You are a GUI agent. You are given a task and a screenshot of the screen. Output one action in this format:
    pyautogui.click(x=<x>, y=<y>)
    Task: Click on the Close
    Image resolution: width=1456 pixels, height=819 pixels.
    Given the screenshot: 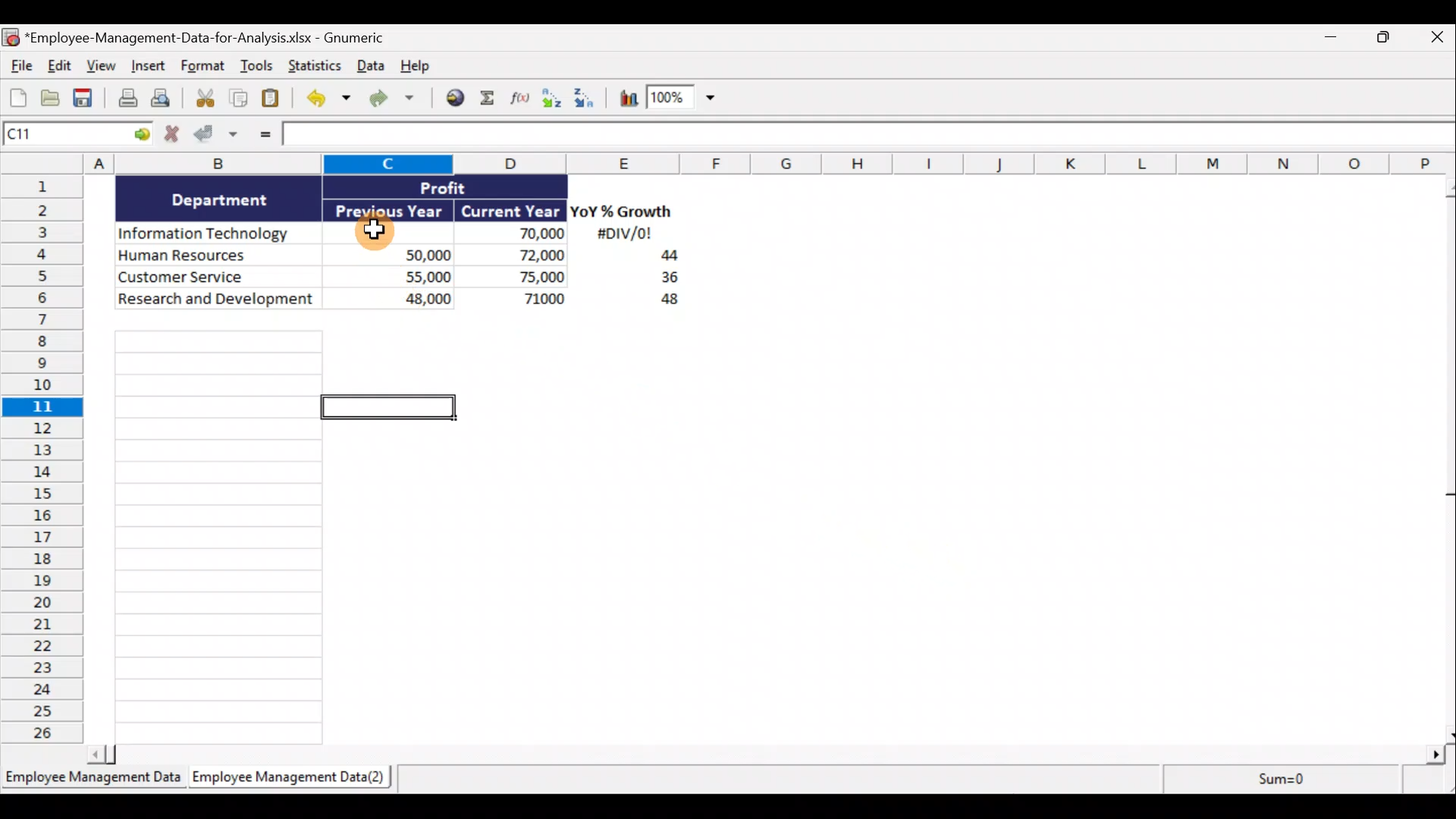 What is the action you would take?
    pyautogui.click(x=1434, y=40)
    